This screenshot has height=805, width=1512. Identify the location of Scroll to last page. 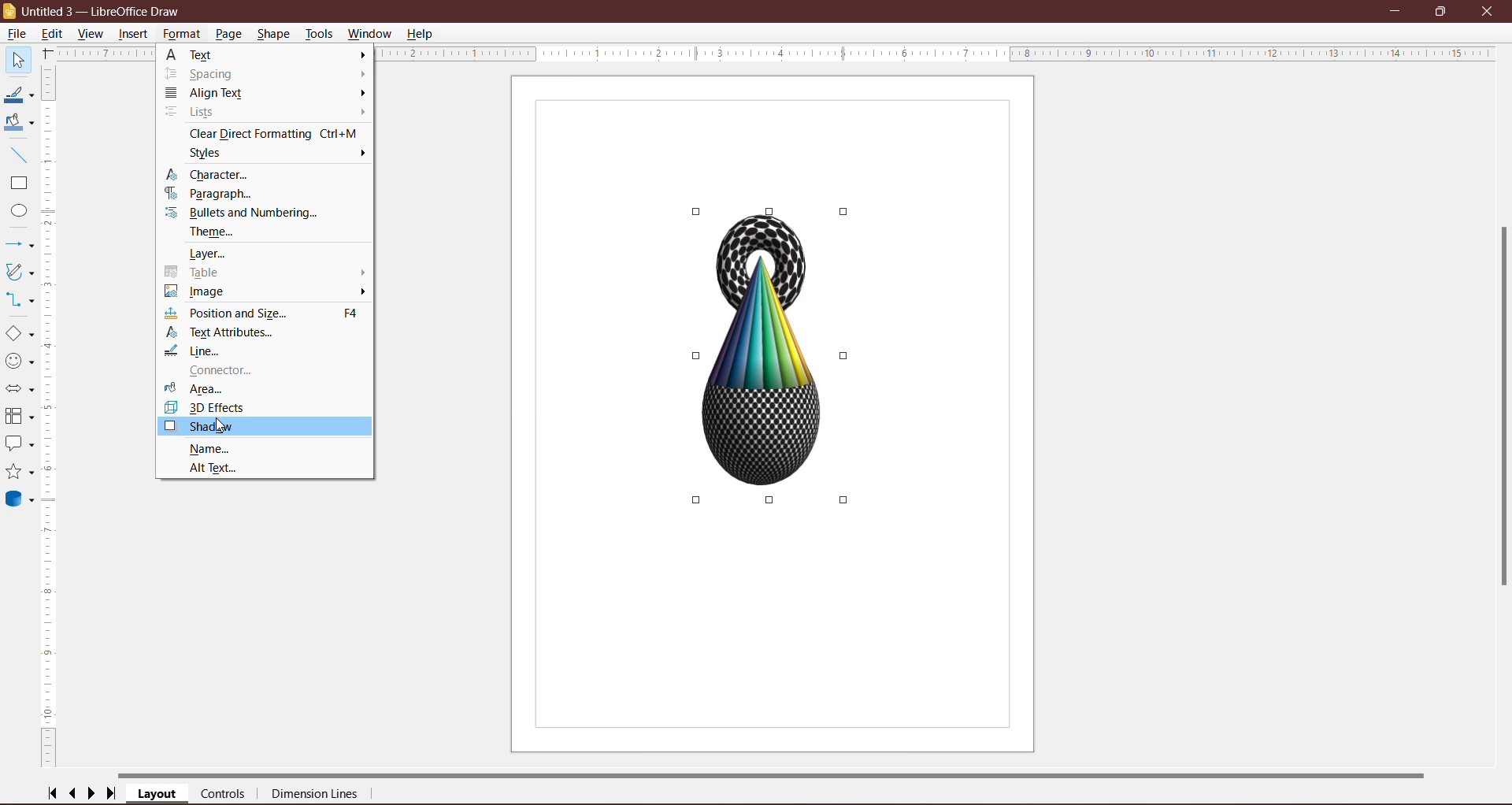
(112, 794).